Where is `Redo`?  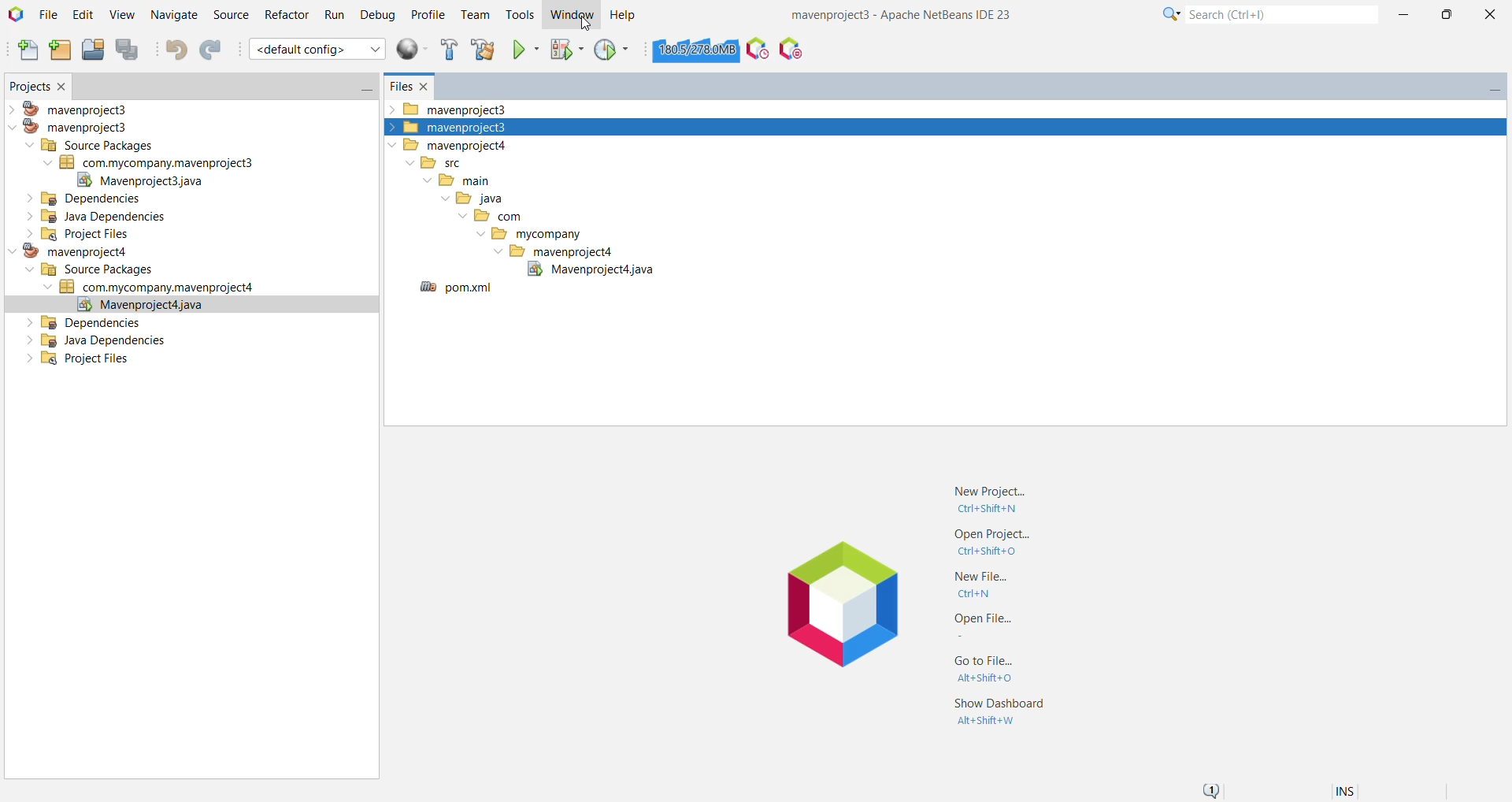 Redo is located at coordinates (214, 50).